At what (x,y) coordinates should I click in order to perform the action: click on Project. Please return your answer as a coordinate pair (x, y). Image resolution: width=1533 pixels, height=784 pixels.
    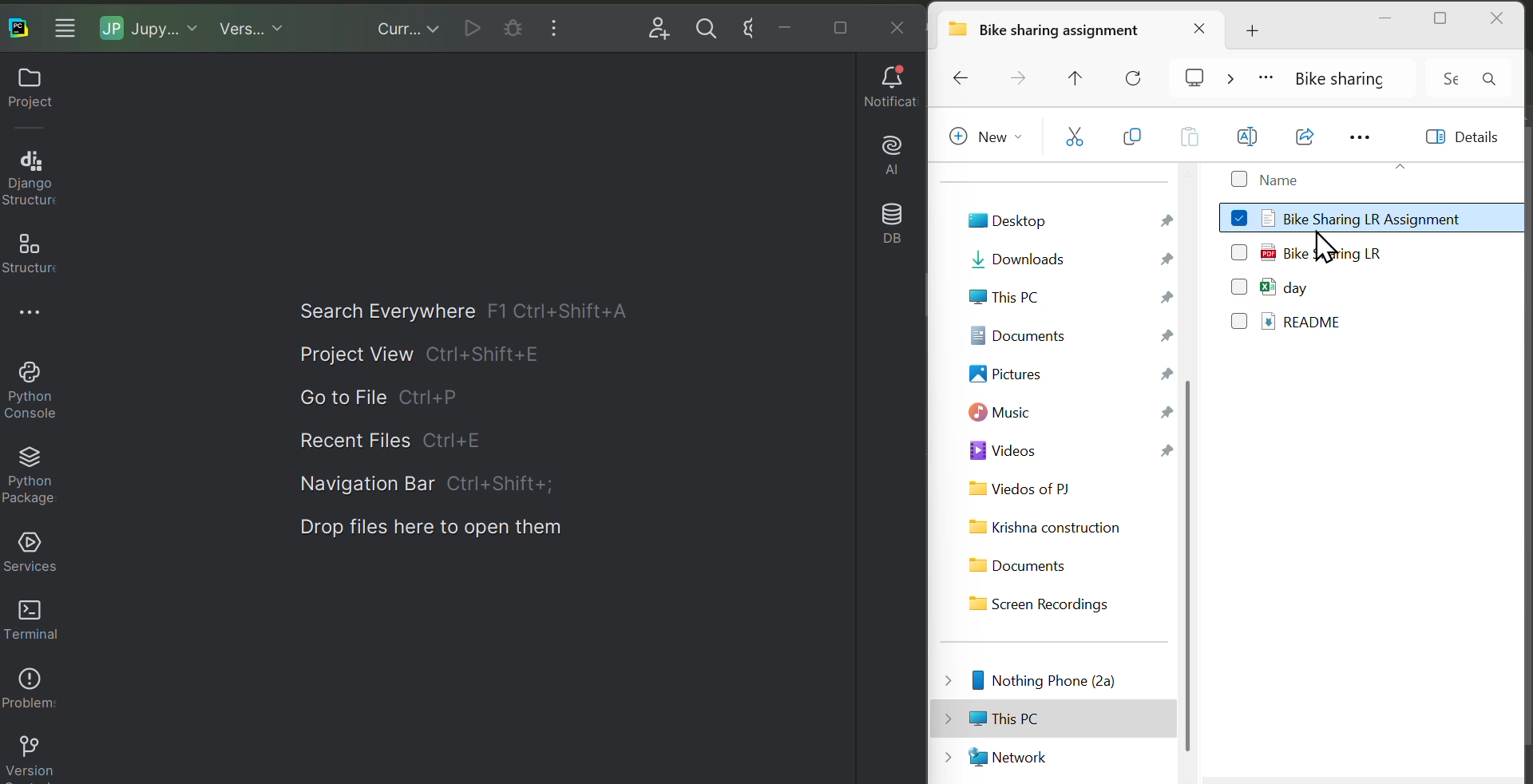
    Looking at the image, I should click on (33, 92).